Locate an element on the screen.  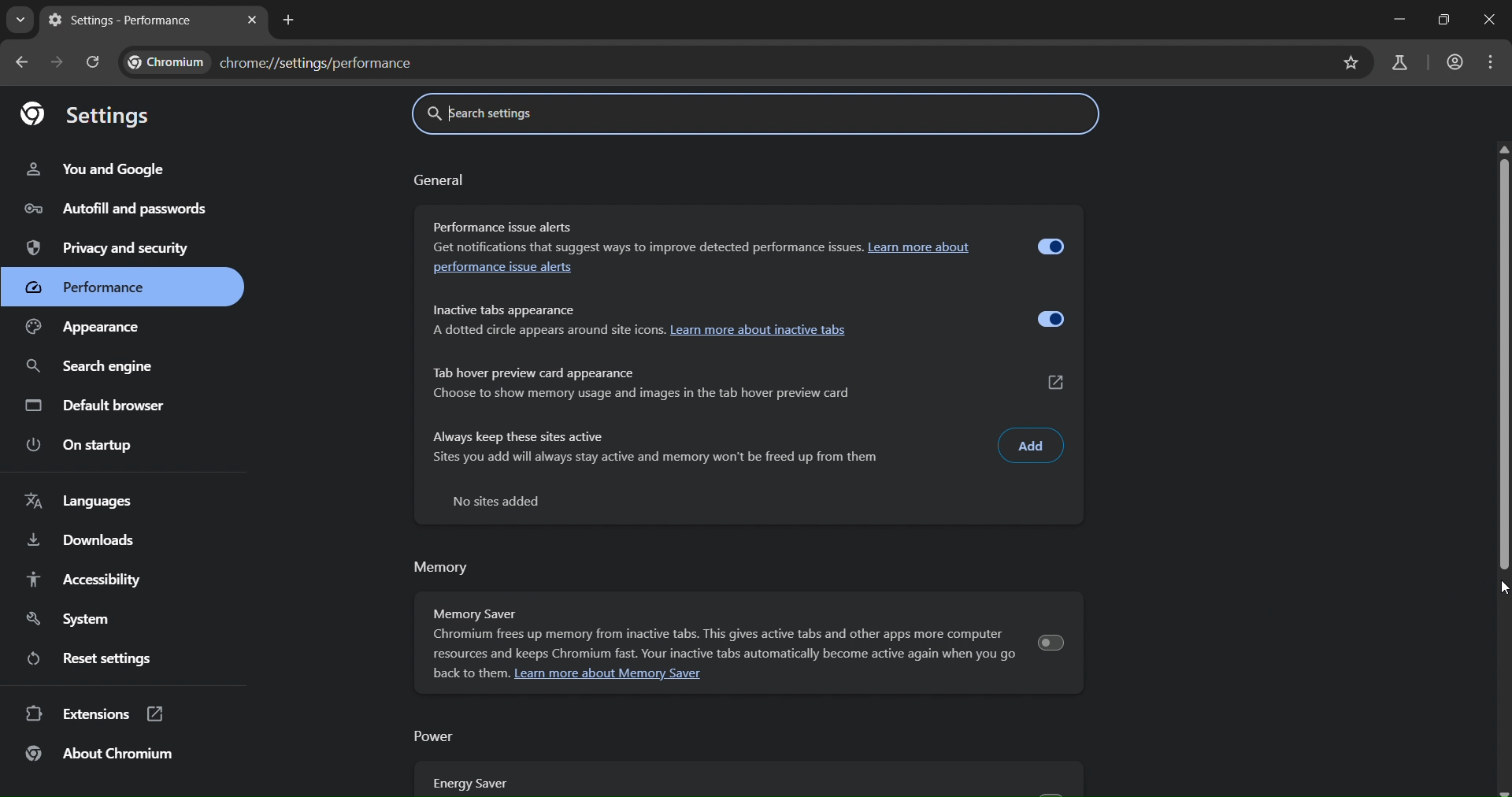
on startup is located at coordinates (91, 445).